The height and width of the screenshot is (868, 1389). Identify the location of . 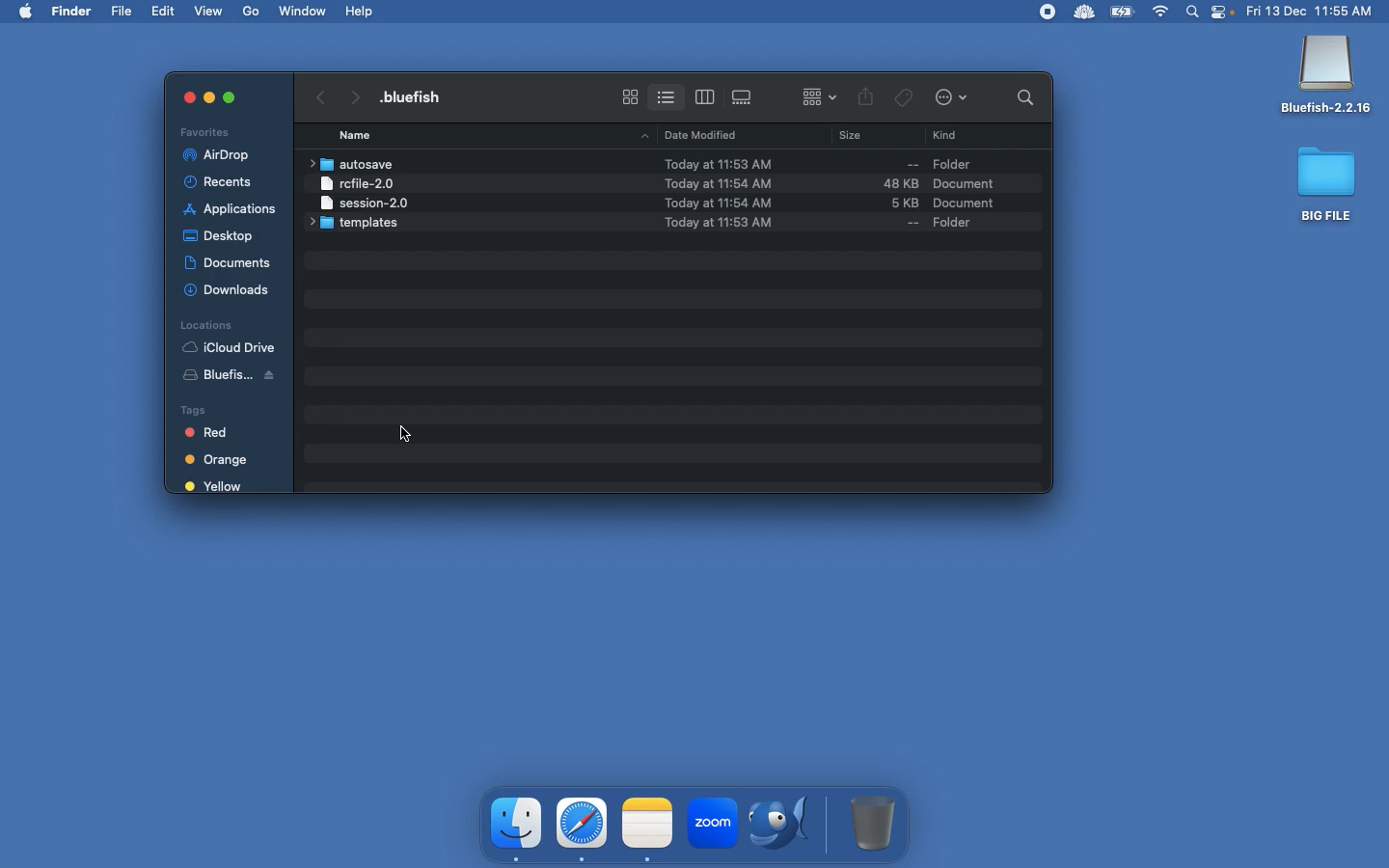
(230, 96).